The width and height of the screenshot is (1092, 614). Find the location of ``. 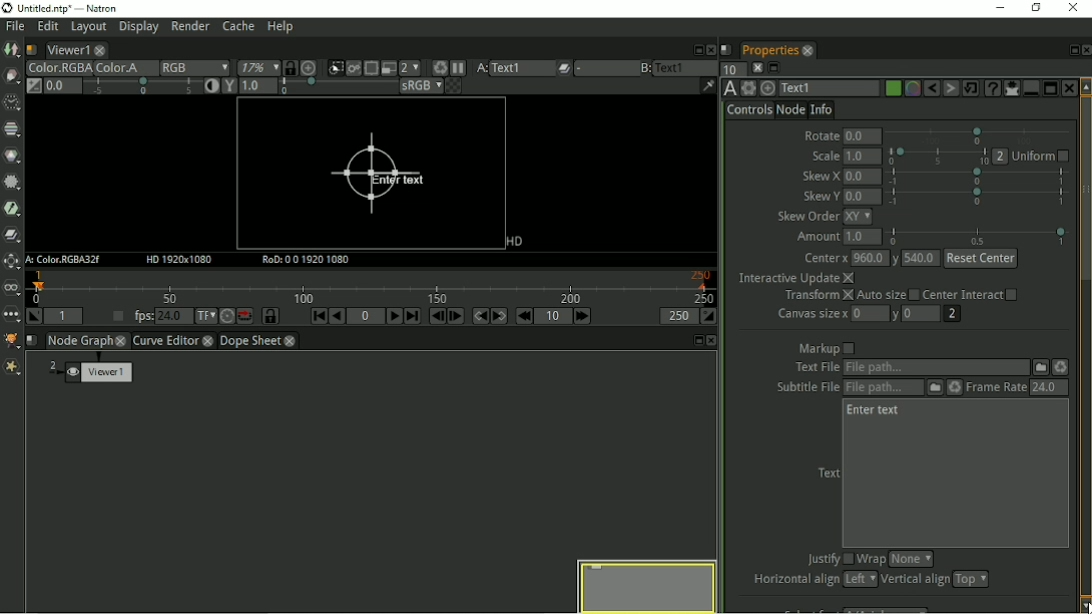

 is located at coordinates (13, 130).